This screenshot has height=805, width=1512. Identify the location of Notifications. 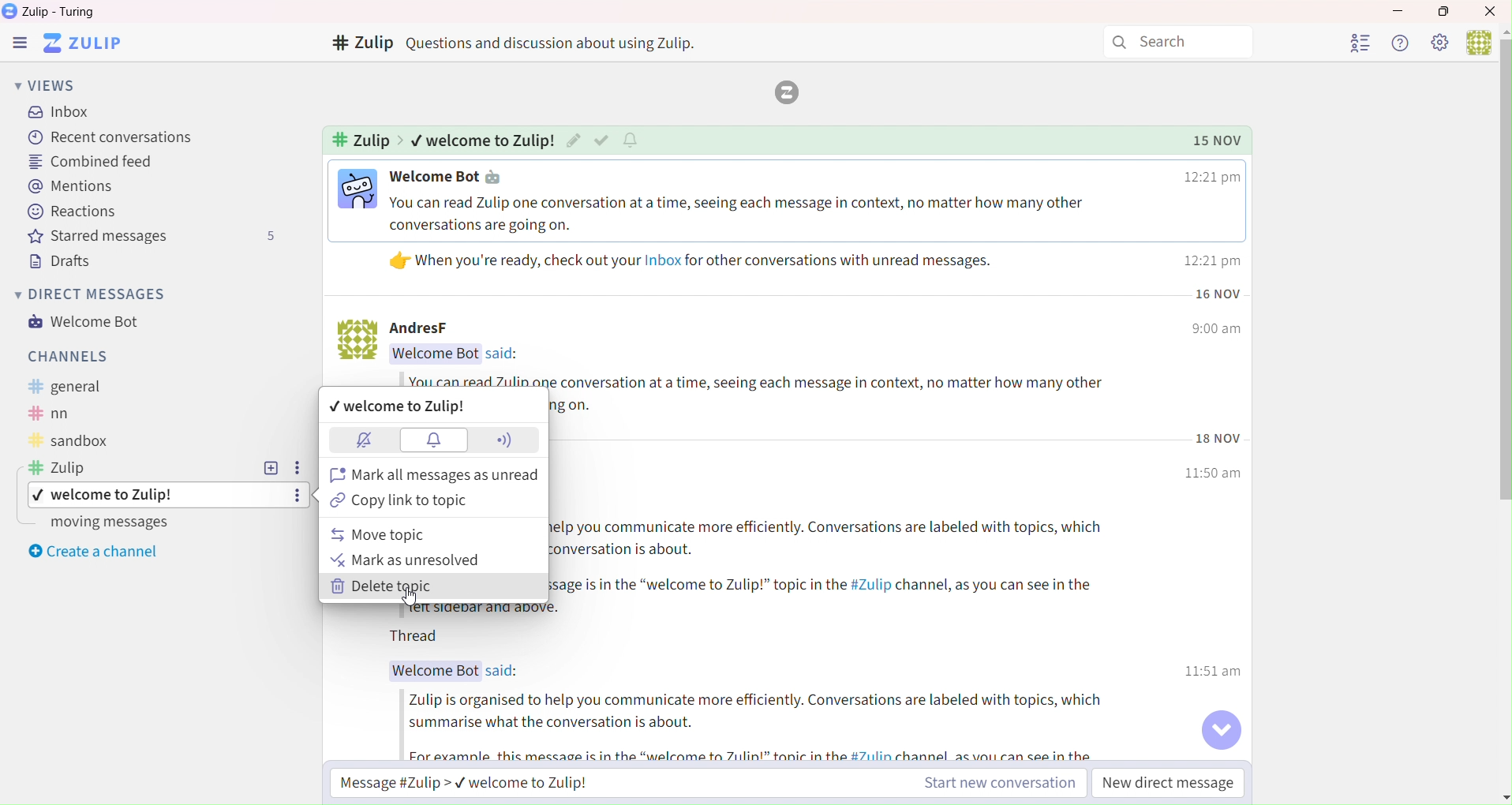
(434, 440).